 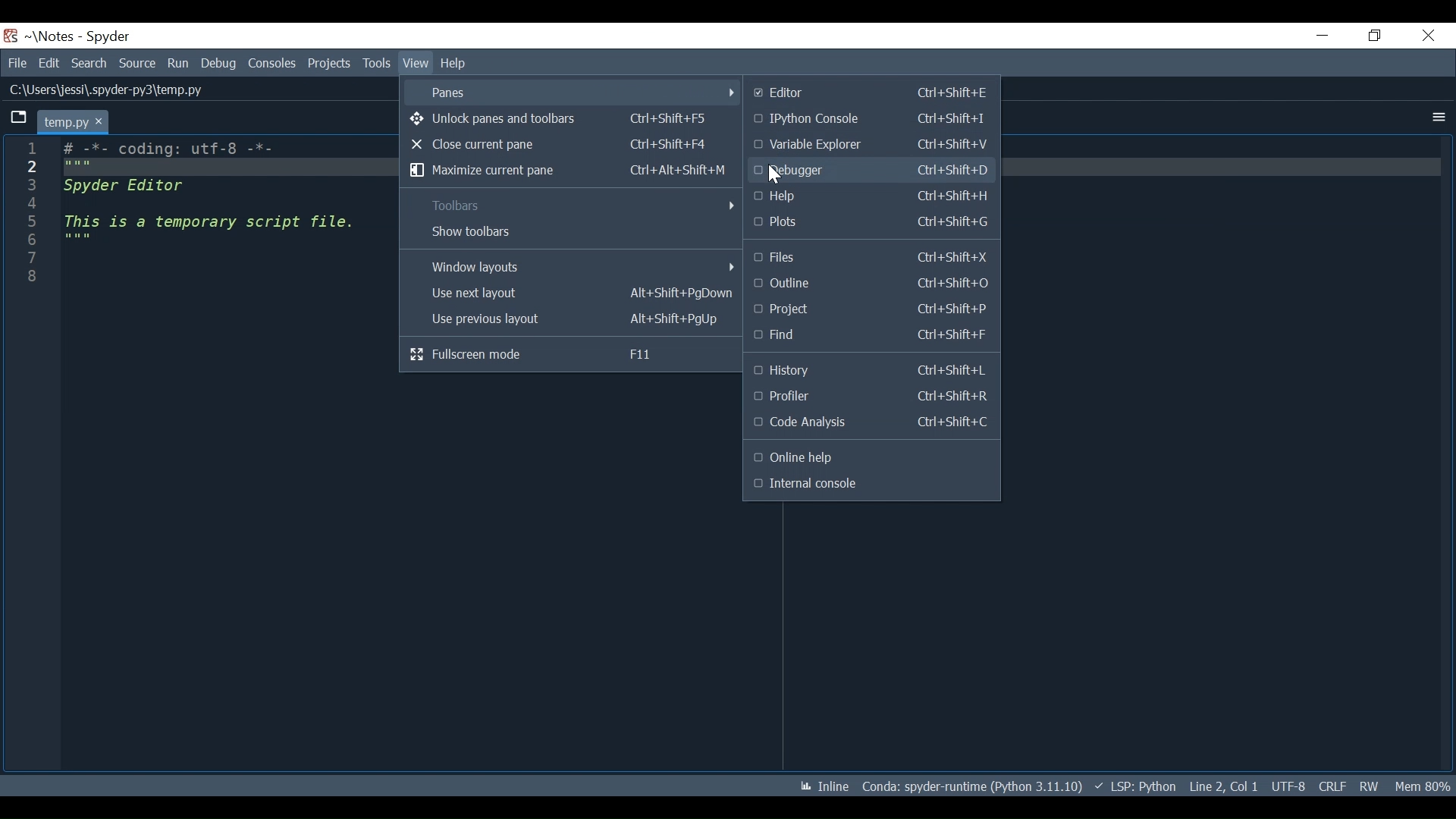 I want to click on Online Help, so click(x=862, y=458).